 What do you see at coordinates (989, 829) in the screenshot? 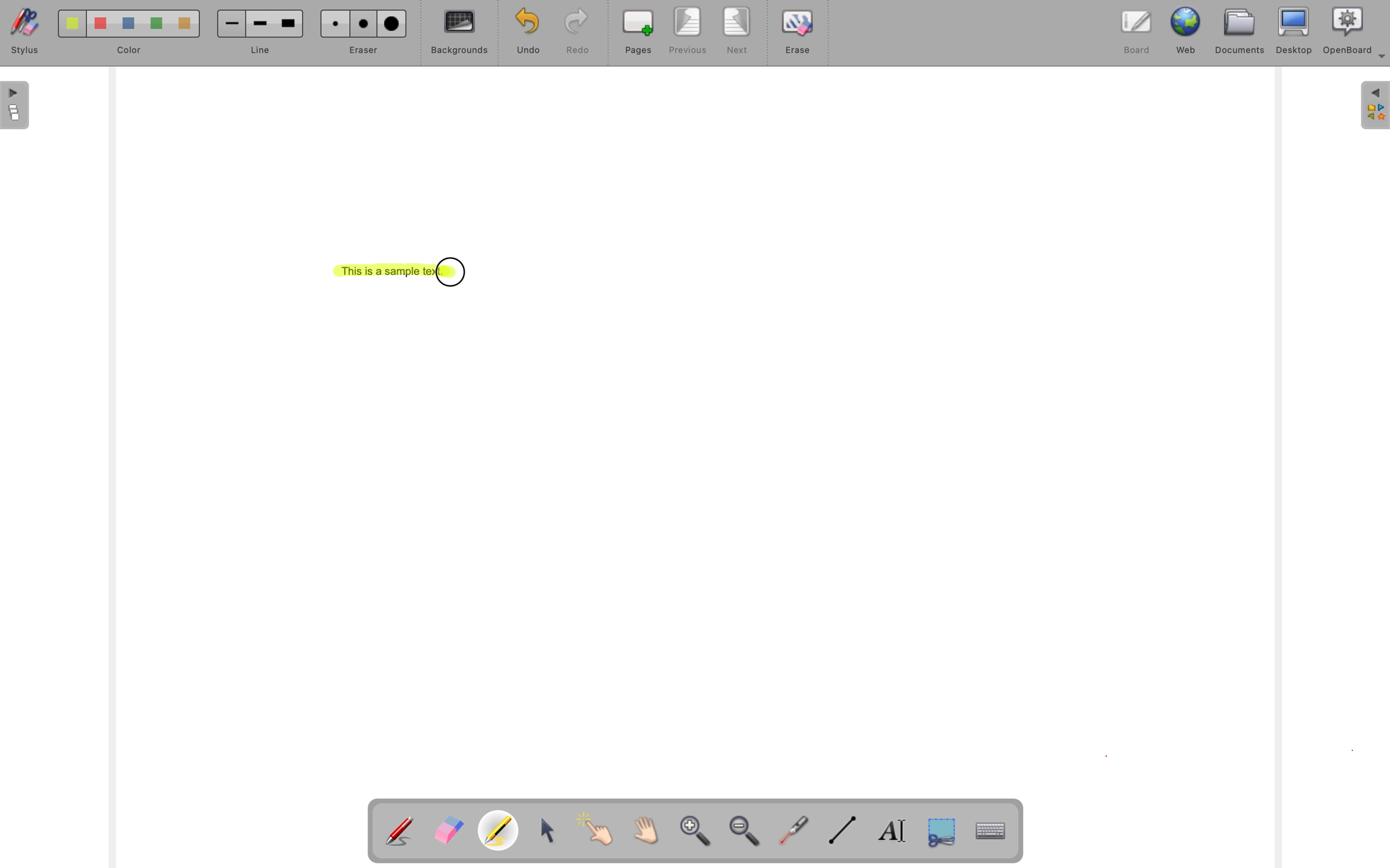
I see `display virtual keyboard` at bounding box center [989, 829].